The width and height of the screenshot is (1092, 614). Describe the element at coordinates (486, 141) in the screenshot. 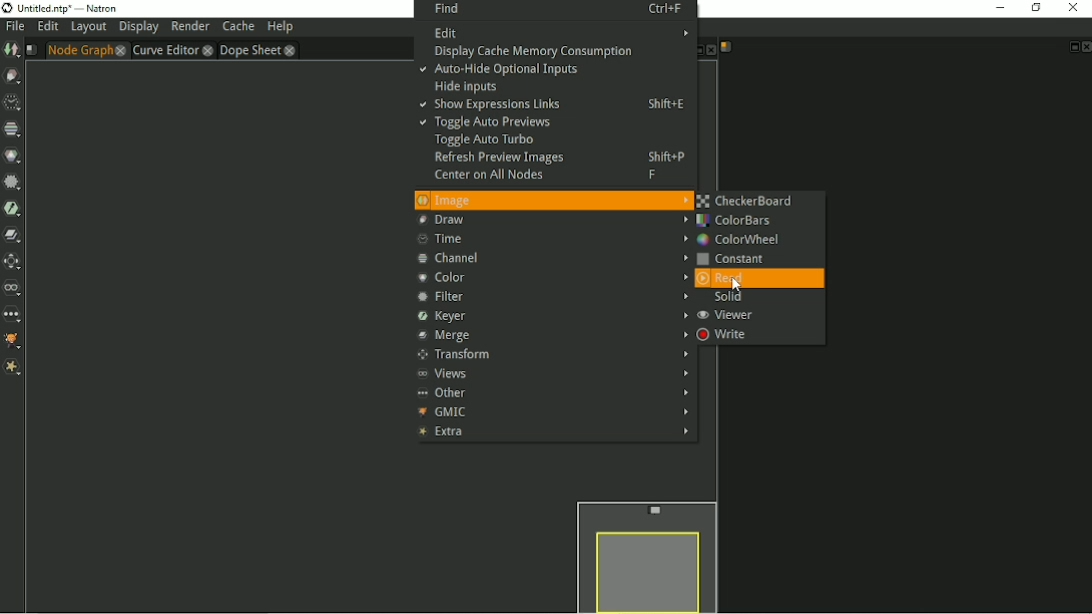

I see `Toggle auto turbo` at that location.